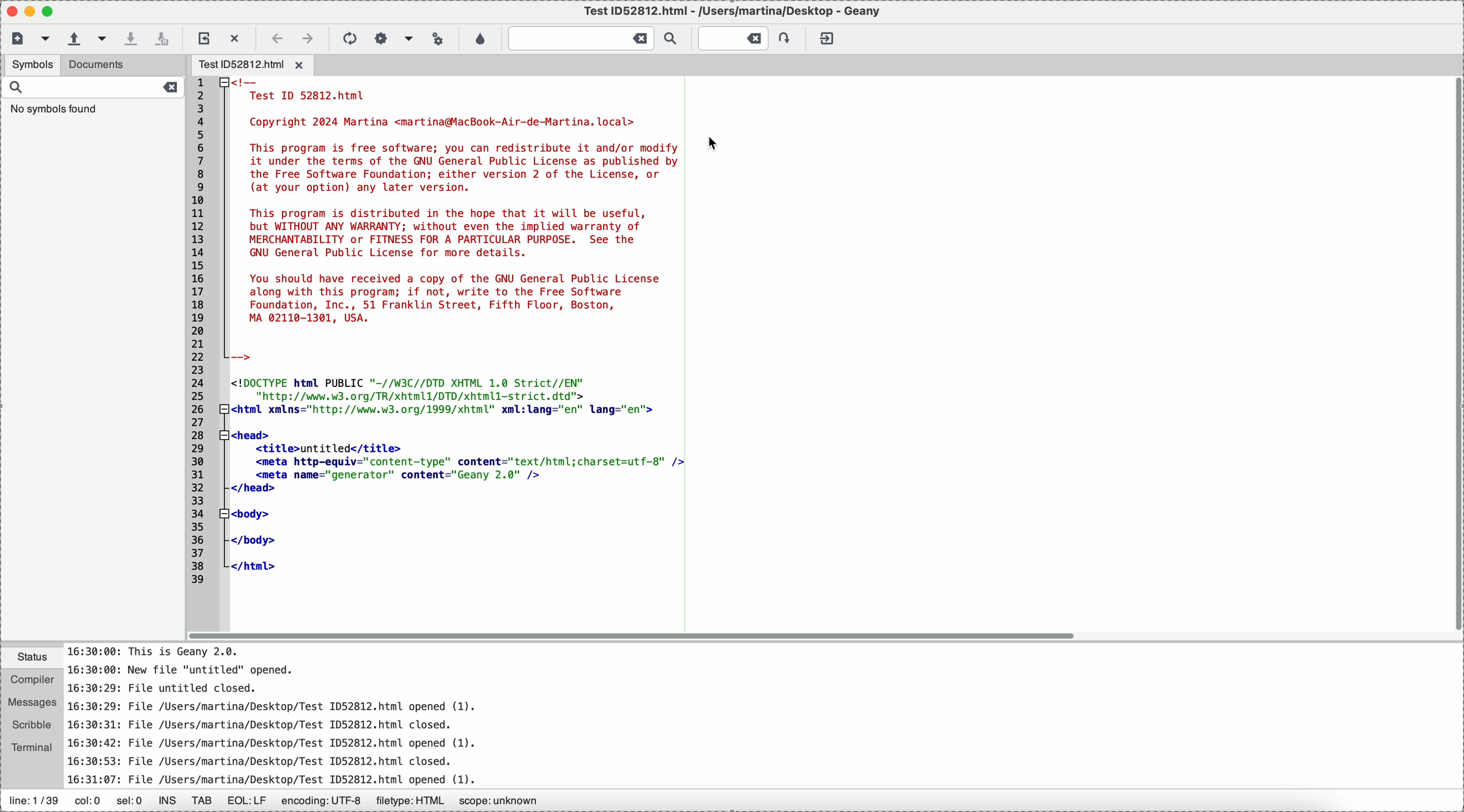  I want to click on choose color, so click(480, 40).